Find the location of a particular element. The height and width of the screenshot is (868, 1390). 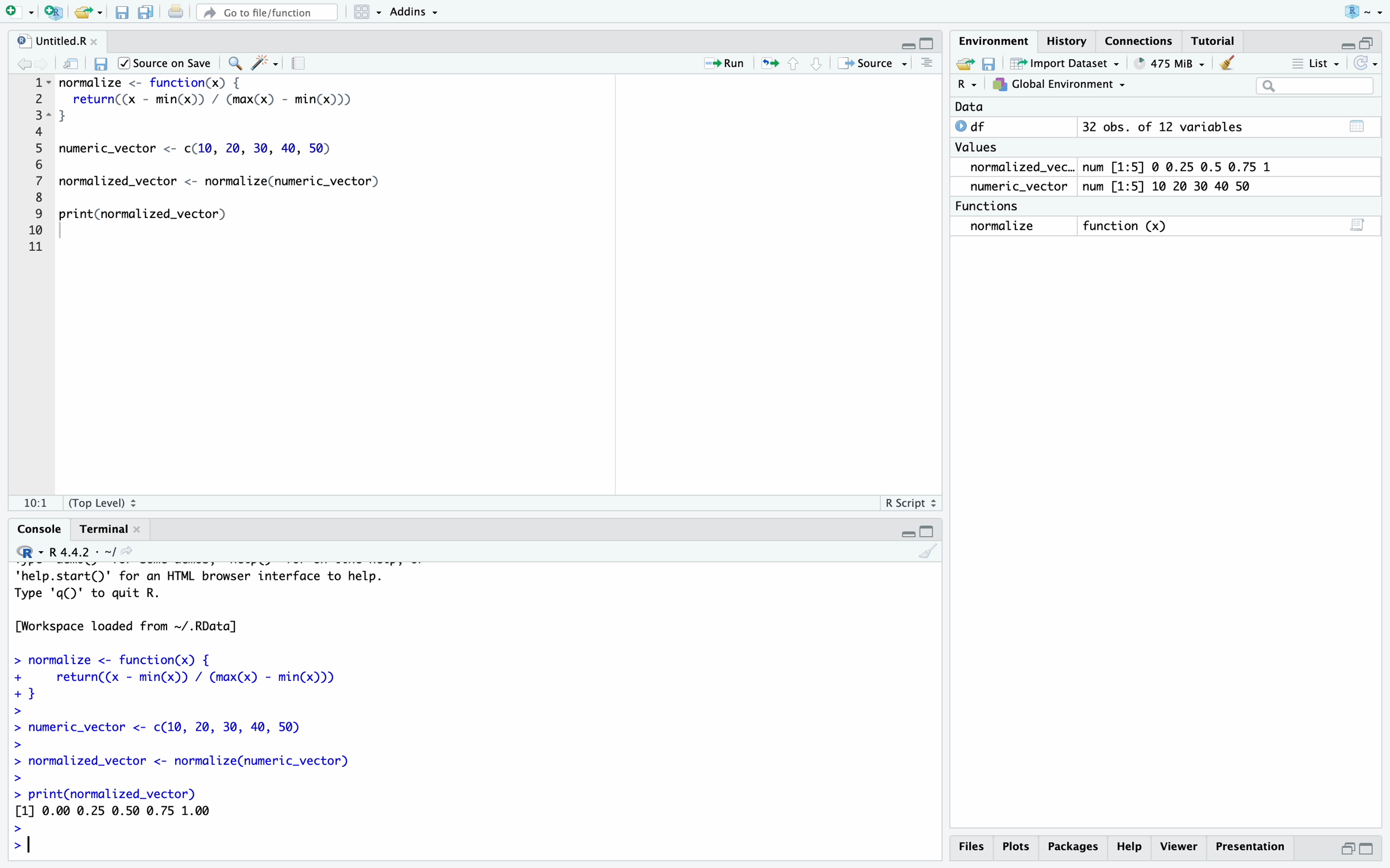

Maximize is located at coordinates (929, 533).